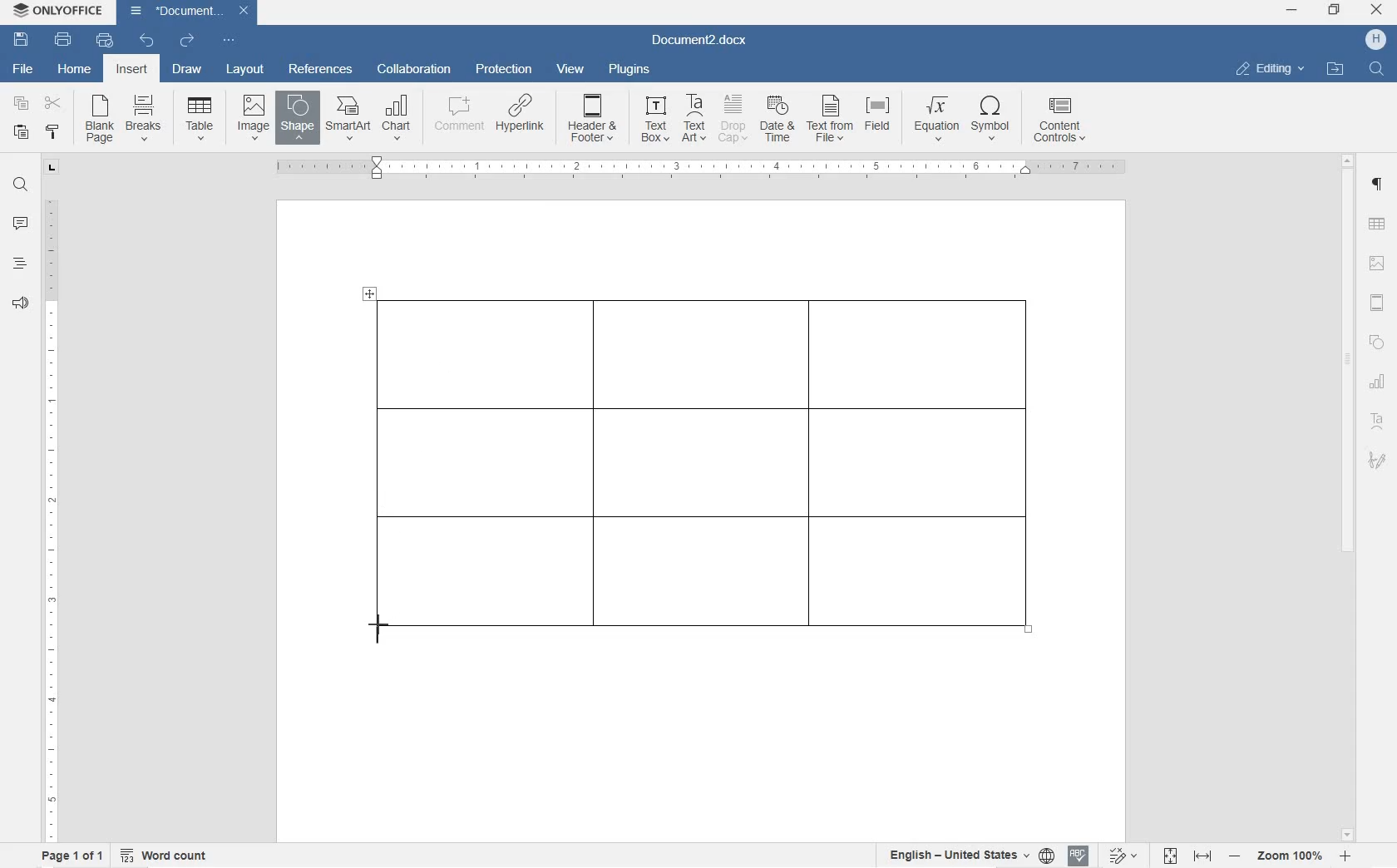  Describe the element at coordinates (51, 515) in the screenshot. I see `ruler` at that location.